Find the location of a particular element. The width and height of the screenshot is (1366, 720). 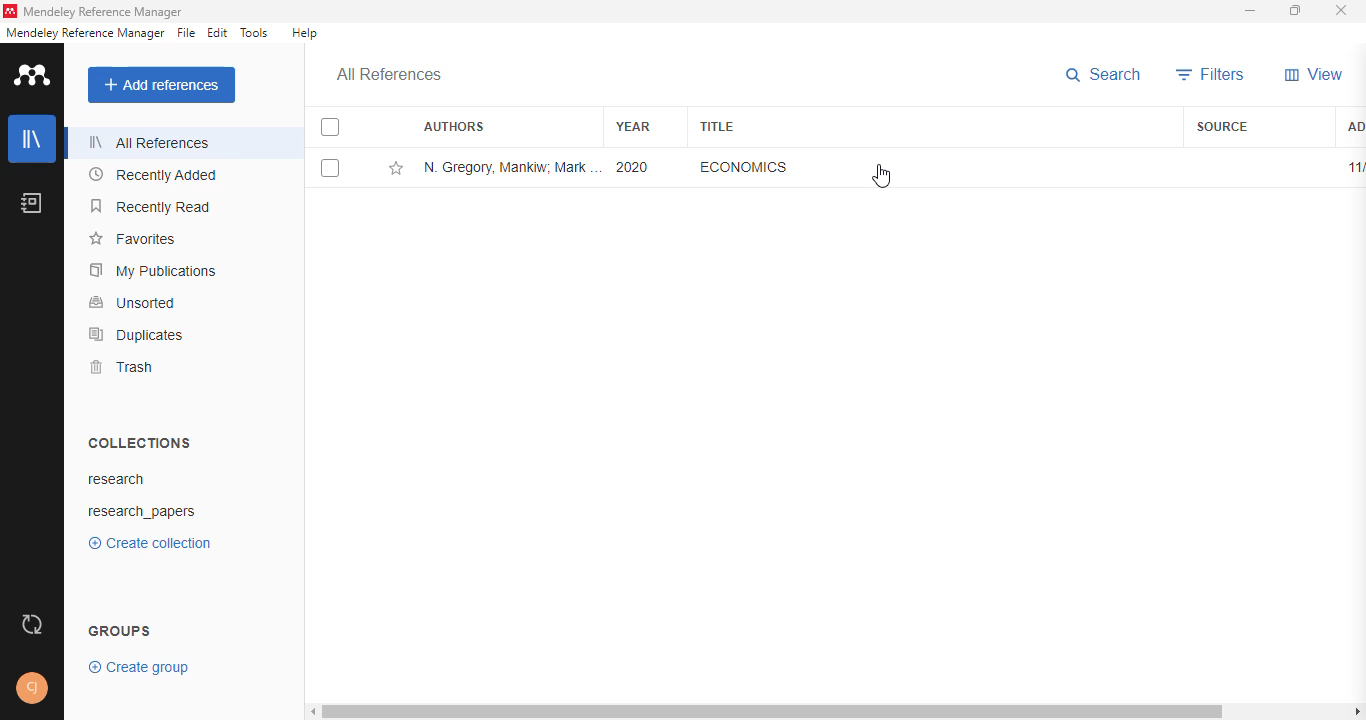

logo is located at coordinates (34, 76).